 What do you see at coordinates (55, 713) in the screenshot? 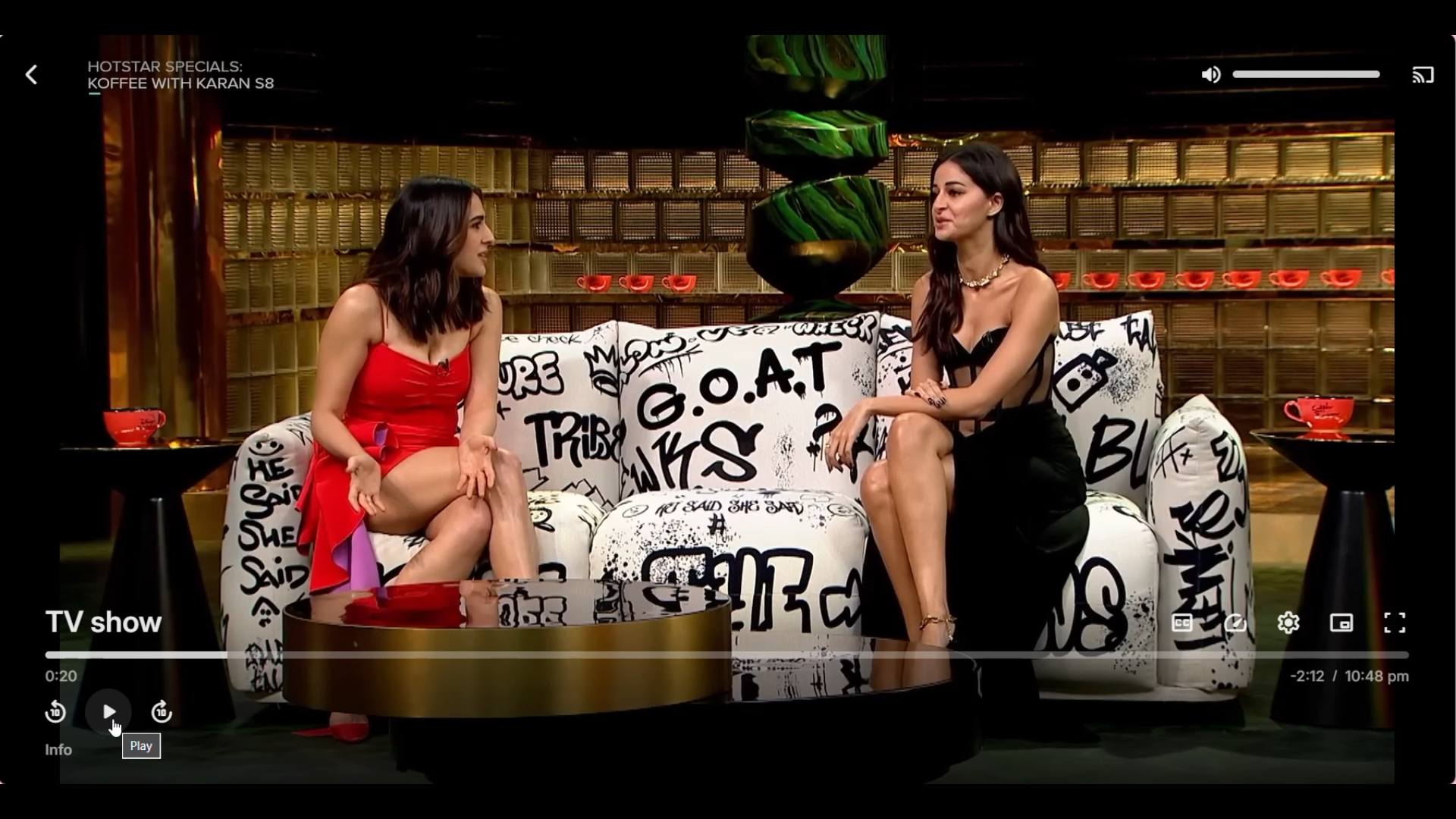
I see `Rewind by 10 seconds` at bounding box center [55, 713].